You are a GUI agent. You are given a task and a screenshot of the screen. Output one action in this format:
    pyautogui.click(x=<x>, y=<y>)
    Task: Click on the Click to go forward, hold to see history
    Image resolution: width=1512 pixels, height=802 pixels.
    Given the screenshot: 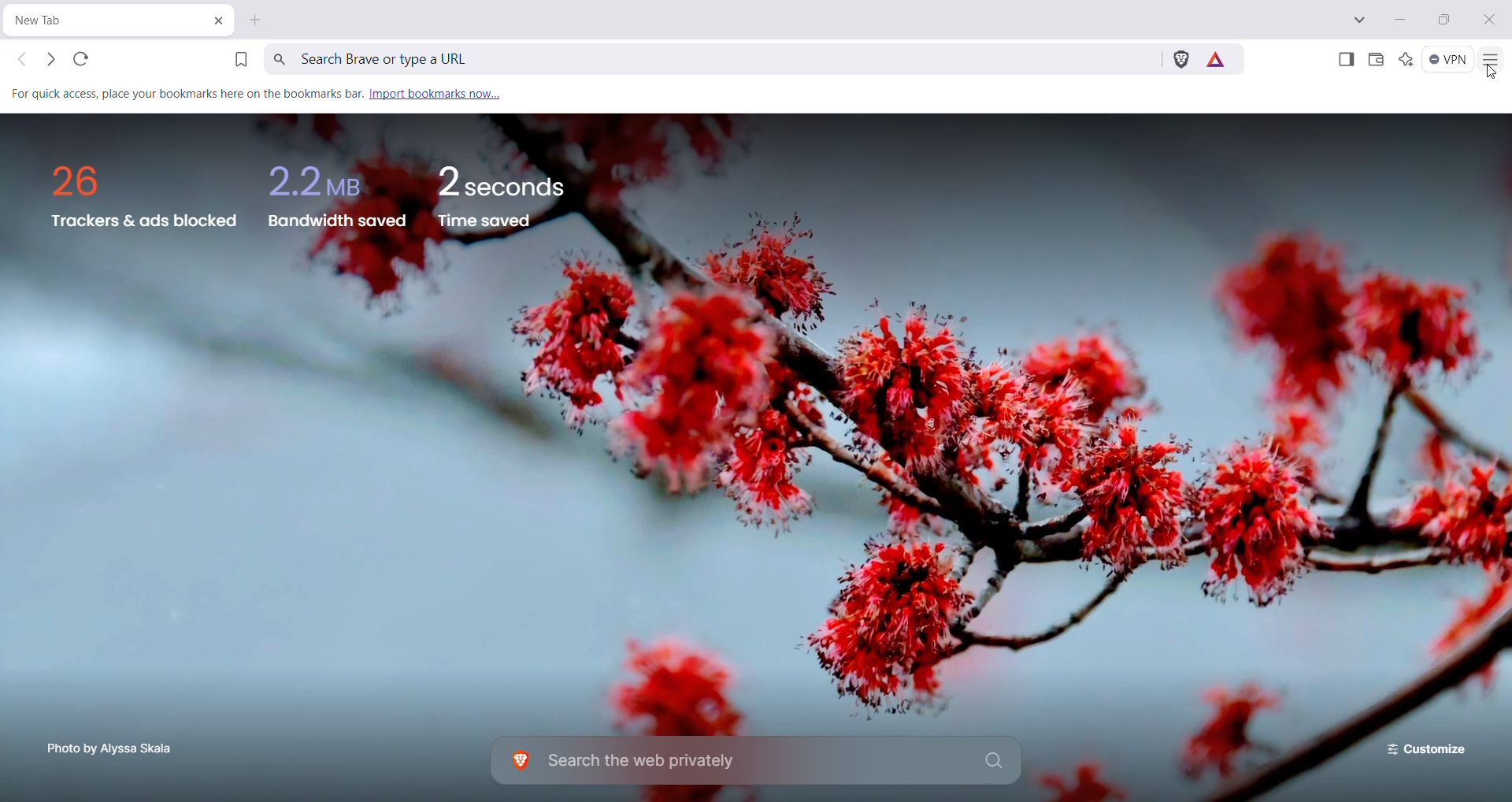 What is the action you would take?
    pyautogui.click(x=52, y=60)
    